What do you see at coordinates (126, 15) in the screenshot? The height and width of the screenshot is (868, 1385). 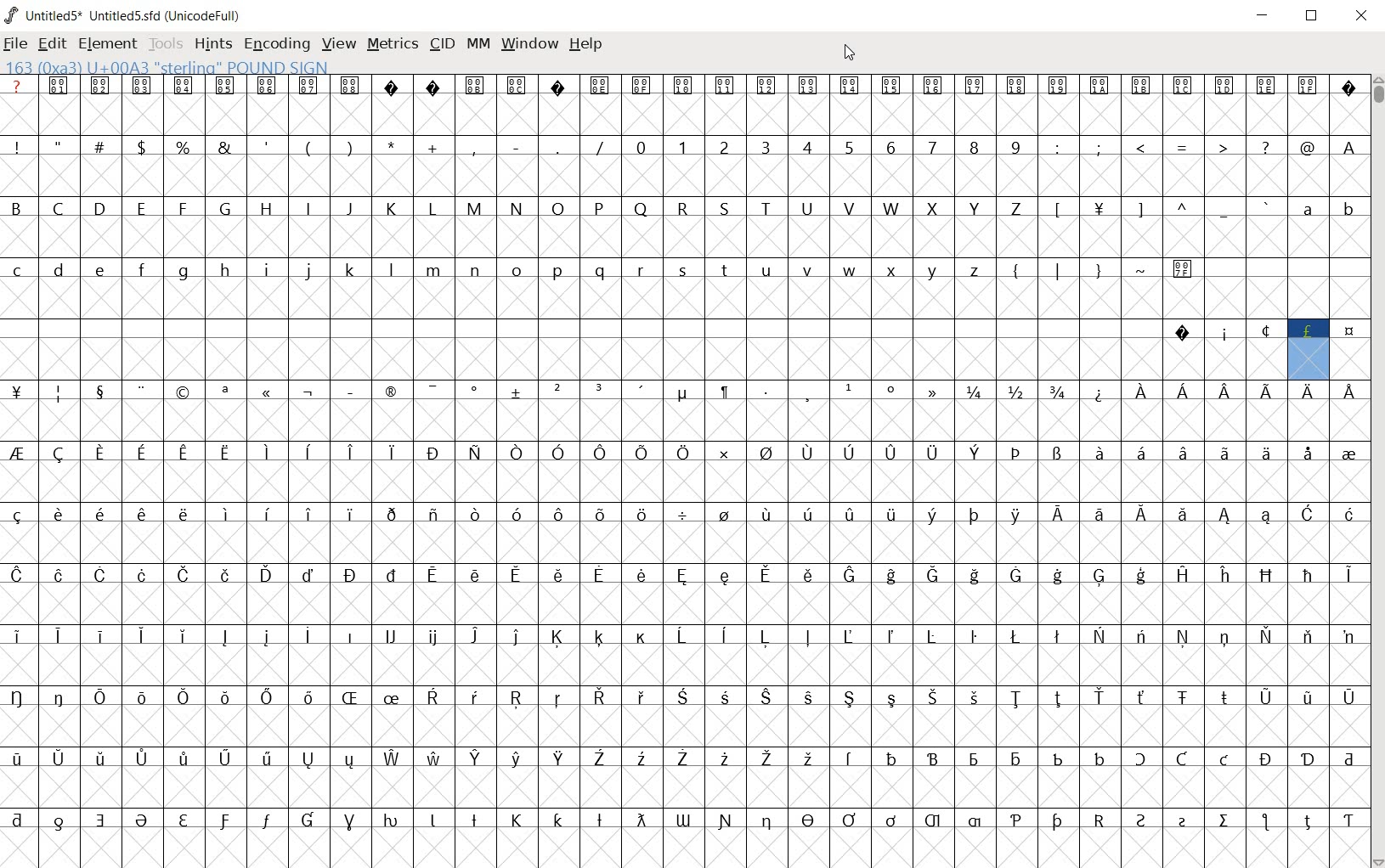 I see `Untitled5* Untitled5.sfd (UnicodeFull)` at bounding box center [126, 15].